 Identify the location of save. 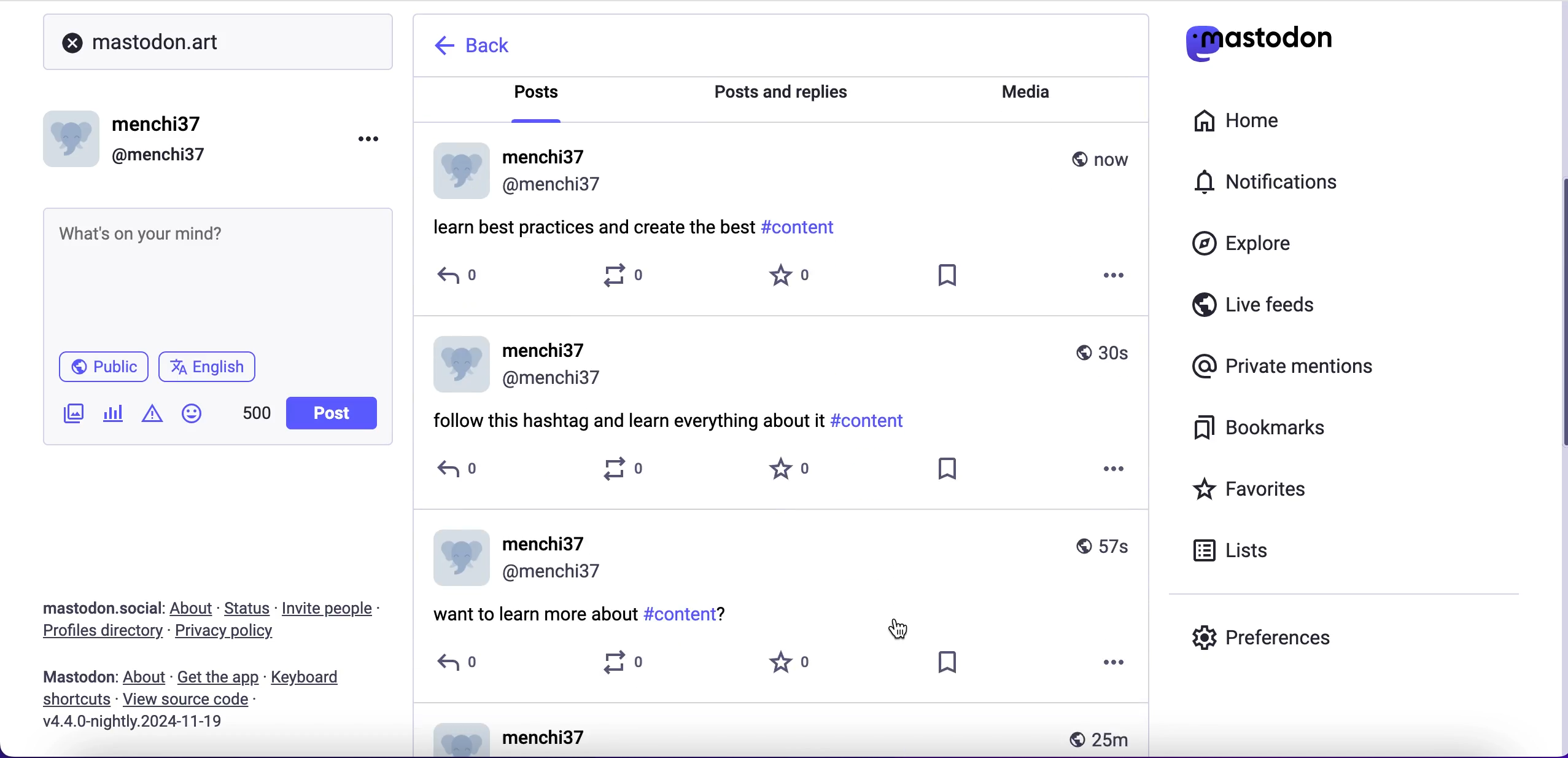
(943, 276).